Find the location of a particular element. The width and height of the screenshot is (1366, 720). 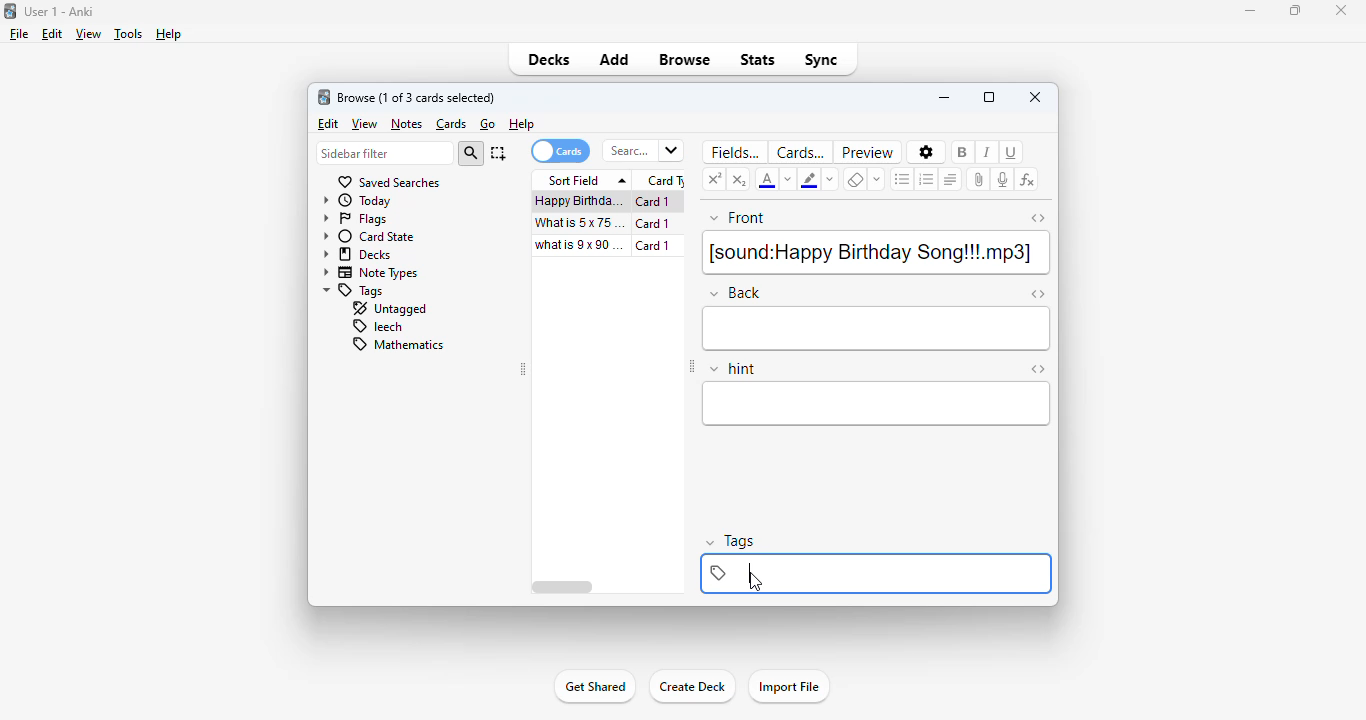

italic is located at coordinates (987, 151).